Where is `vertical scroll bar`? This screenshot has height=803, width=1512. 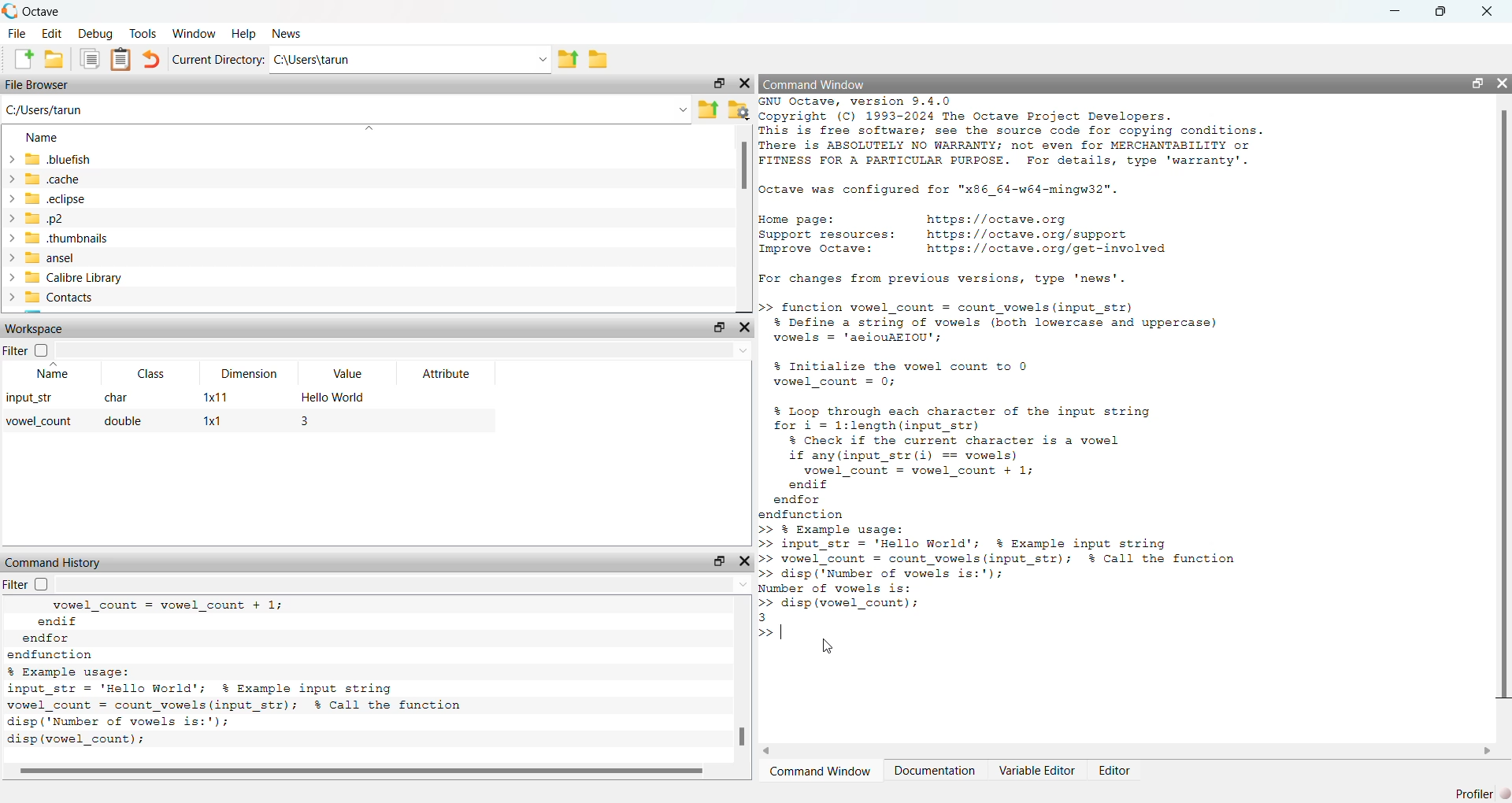
vertical scroll bar is located at coordinates (1503, 420).